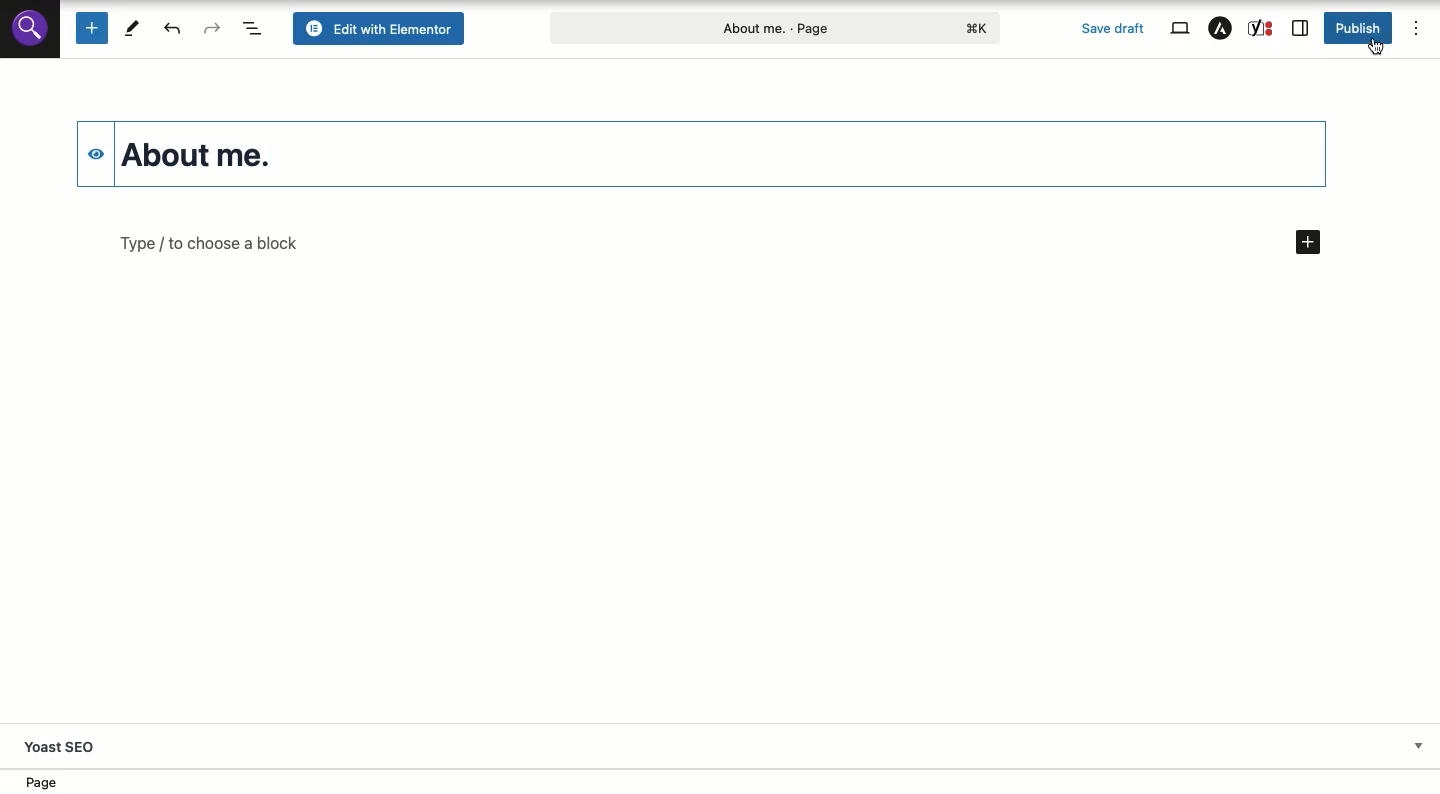 The height and width of the screenshot is (794, 1440). What do you see at coordinates (718, 244) in the screenshot?
I see `Type/ choose a block` at bounding box center [718, 244].